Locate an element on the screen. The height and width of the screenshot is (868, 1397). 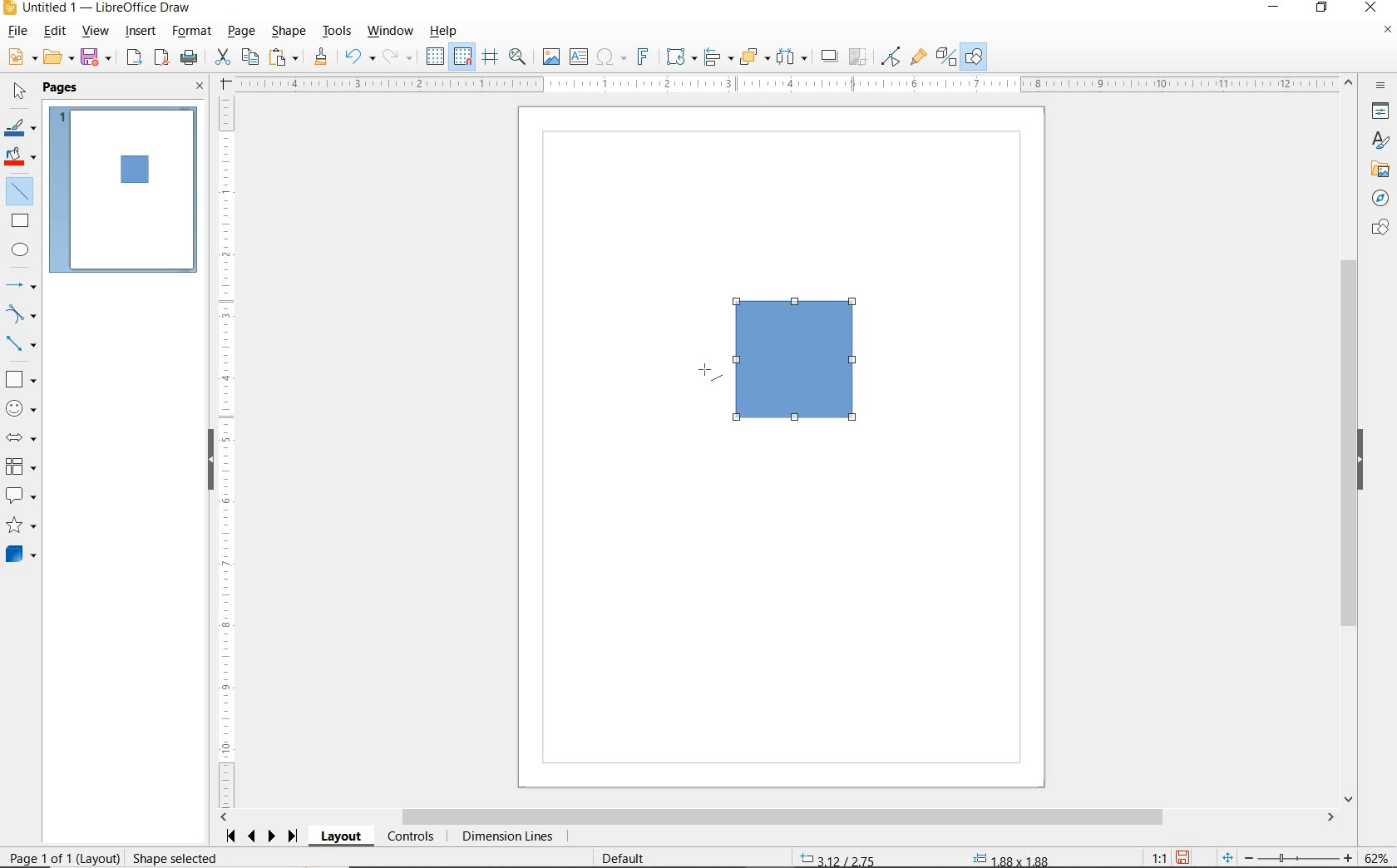
EXPORT is located at coordinates (135, 59).